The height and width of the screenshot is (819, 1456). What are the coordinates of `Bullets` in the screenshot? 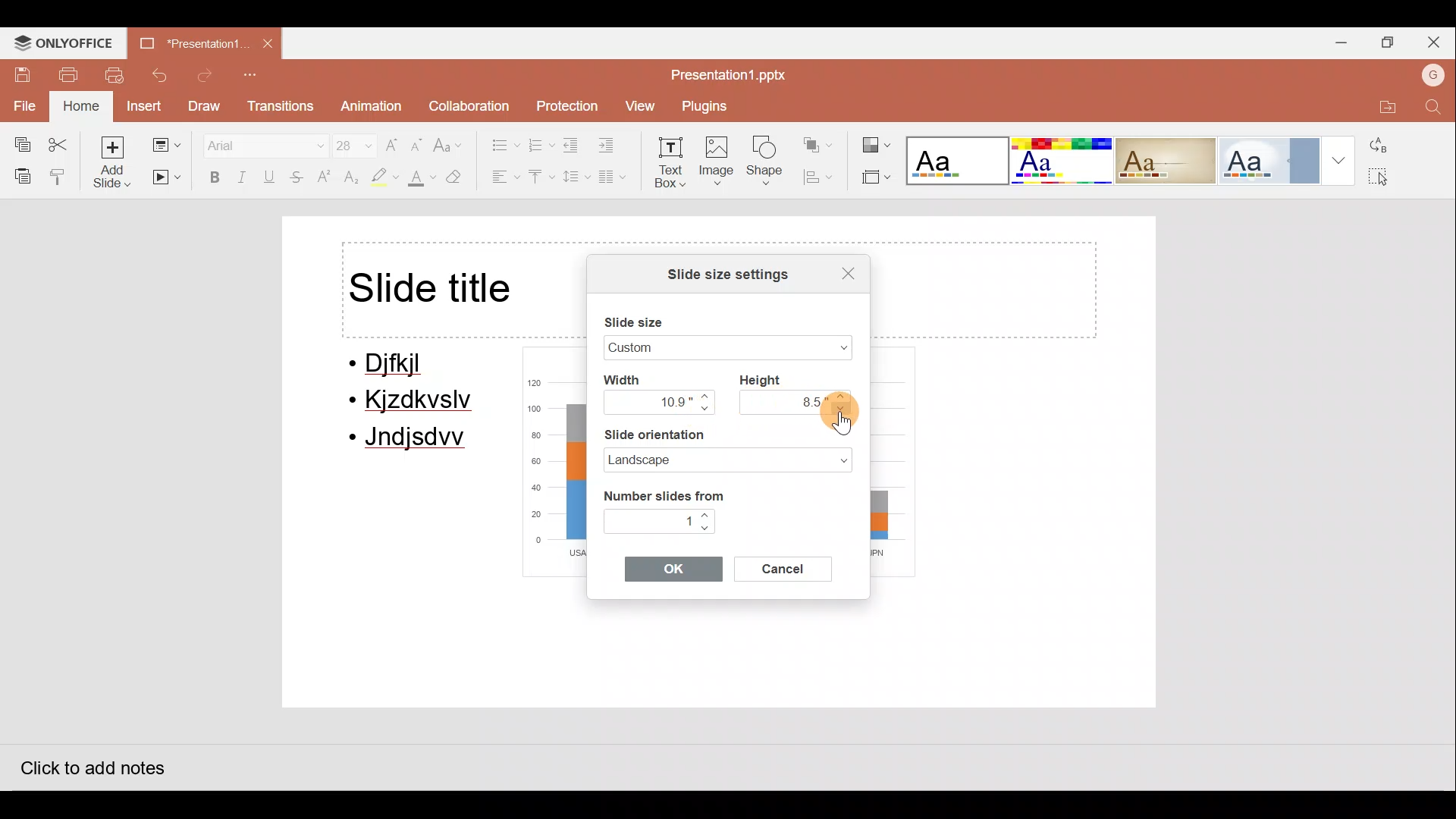 It's located at (497, 141).